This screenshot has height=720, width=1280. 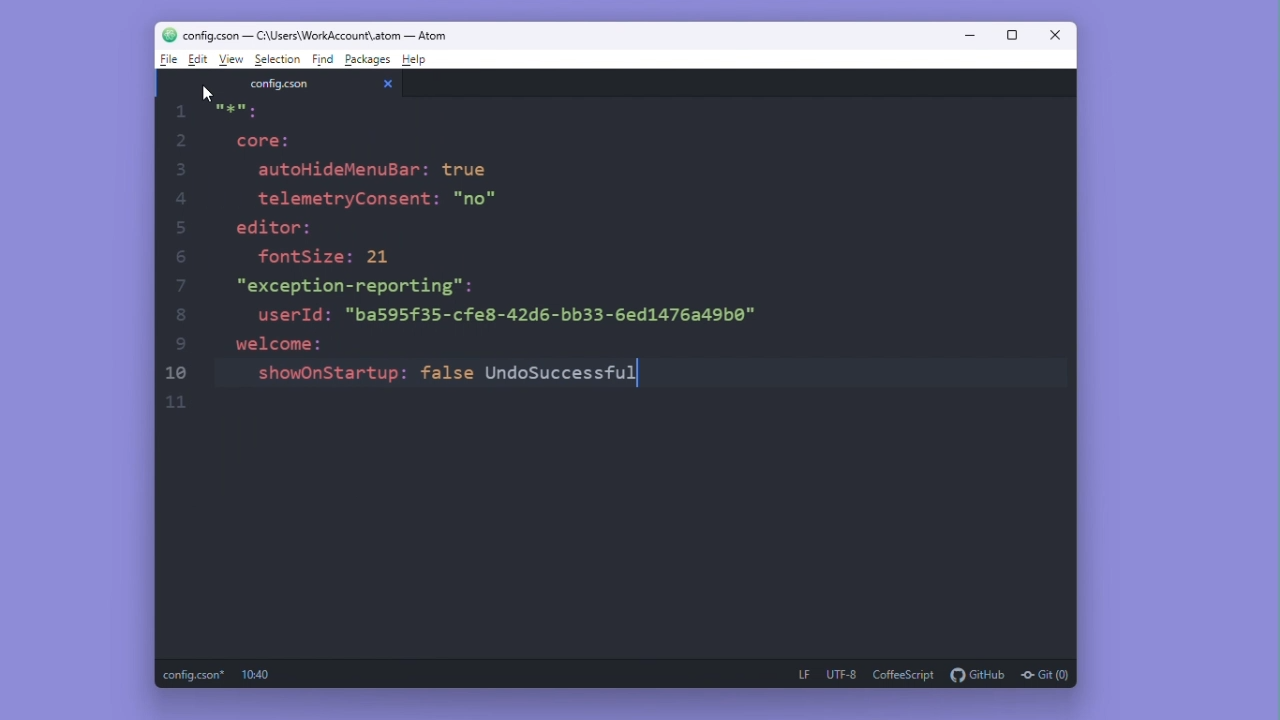 What do you see at coordinates (233, 60) in the screenshot?
I see `view` at bounding box center [233, 60].